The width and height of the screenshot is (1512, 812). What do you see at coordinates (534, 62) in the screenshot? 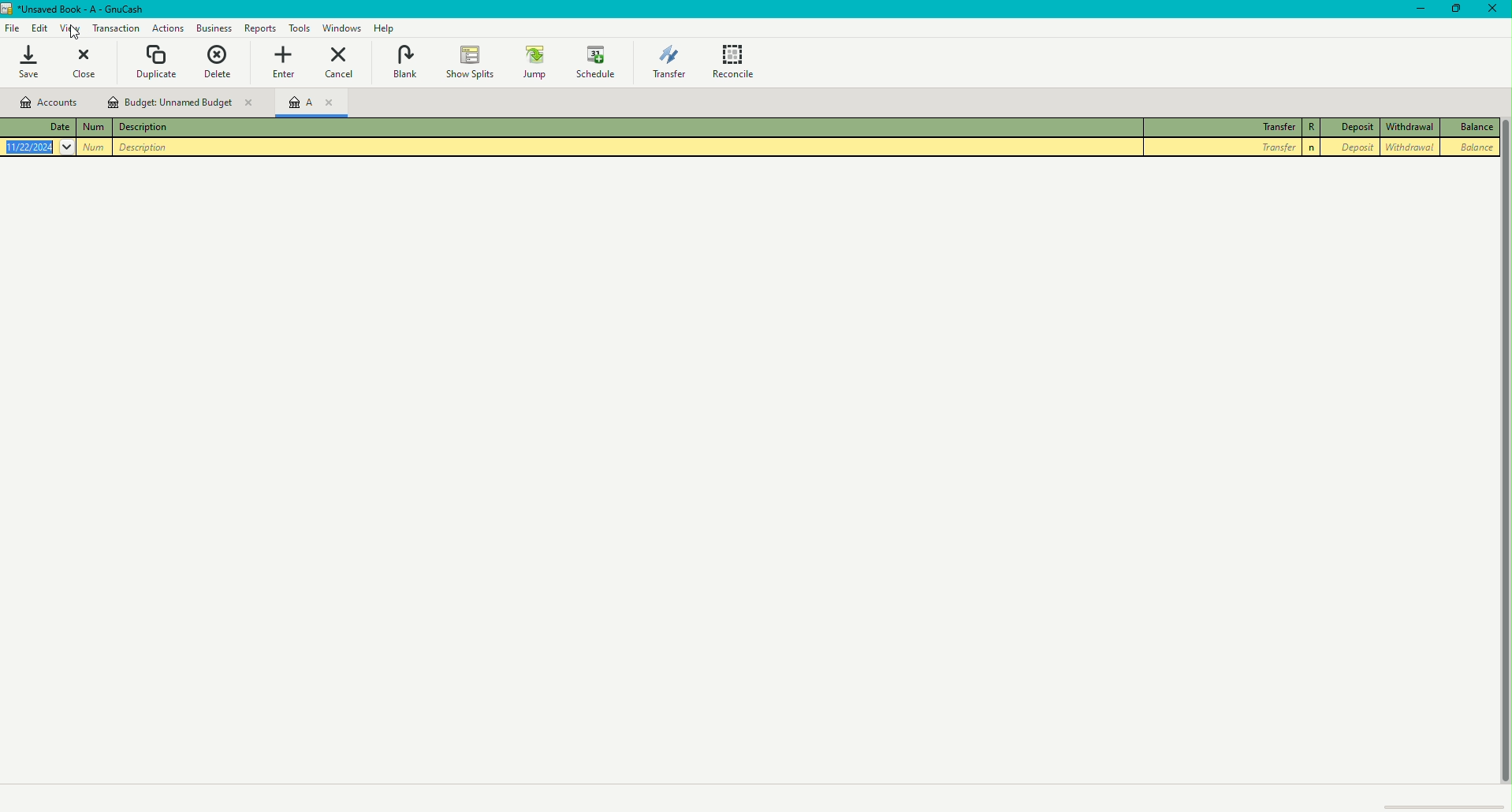
I see `Jump` at bounding box center [534, 62].